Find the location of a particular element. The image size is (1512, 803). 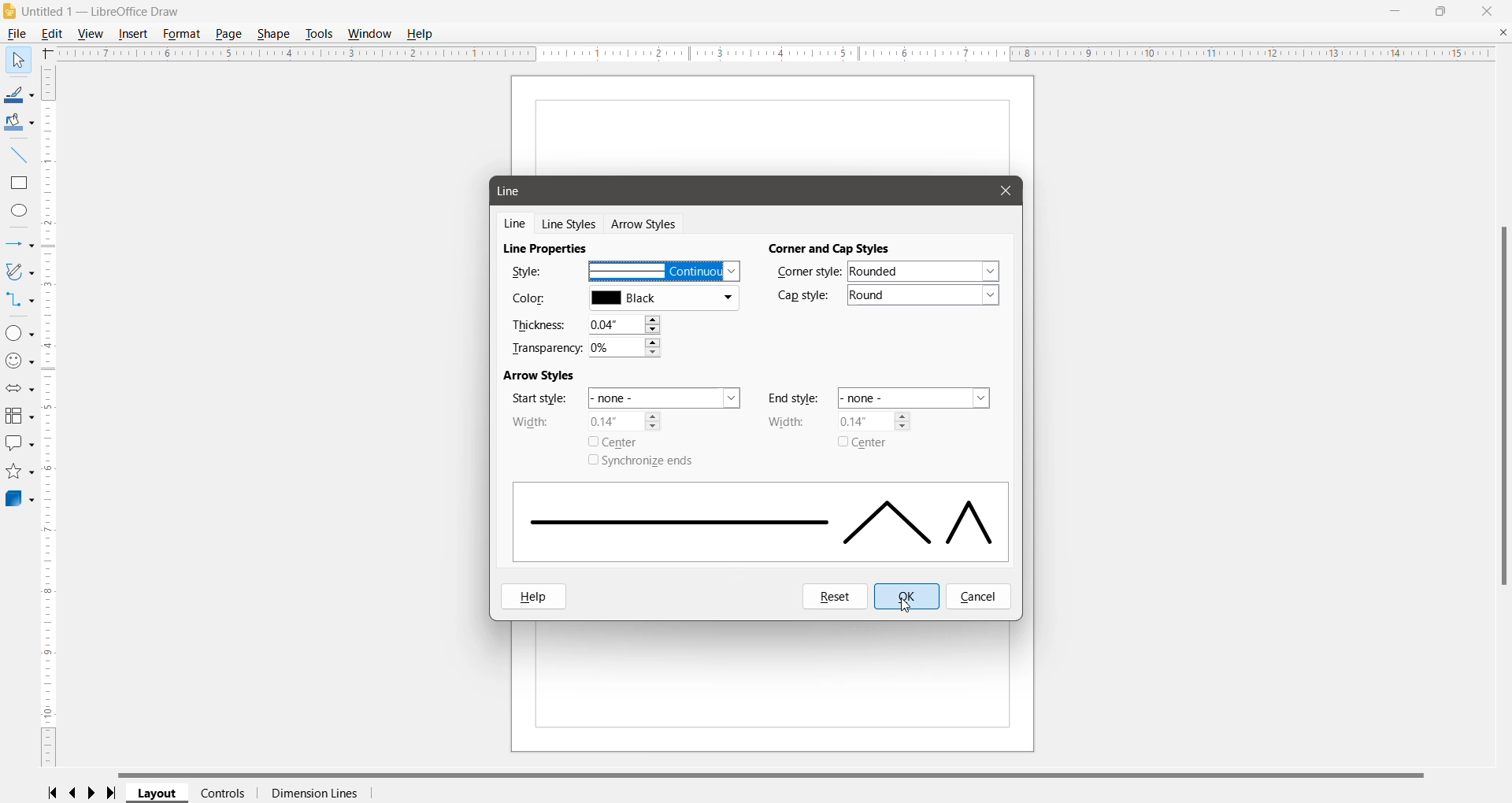

Scroll to previous page is located at coordinates (74, 794).